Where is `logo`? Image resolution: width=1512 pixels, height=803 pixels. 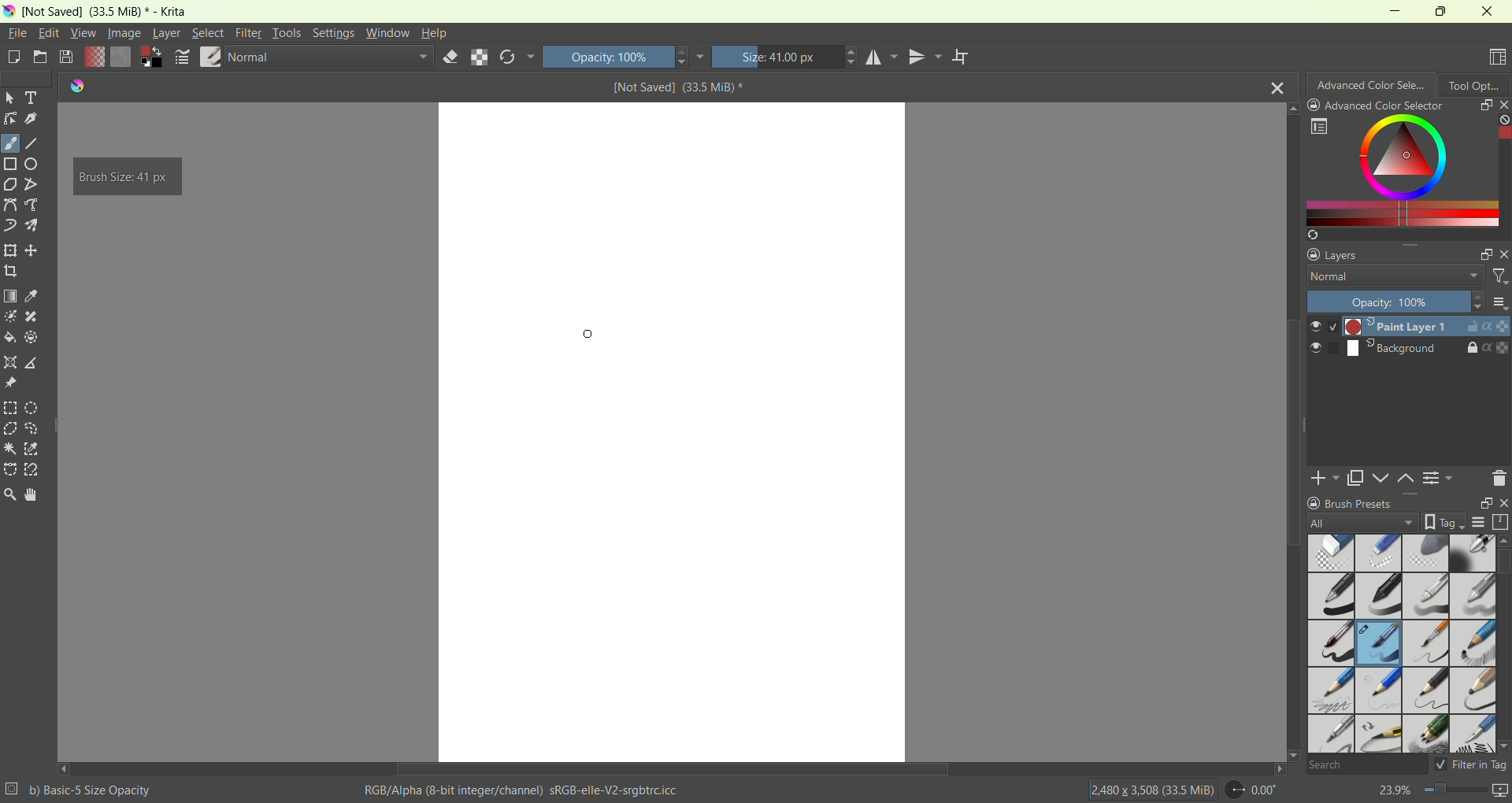 logo is located at coordinates (9, 12).